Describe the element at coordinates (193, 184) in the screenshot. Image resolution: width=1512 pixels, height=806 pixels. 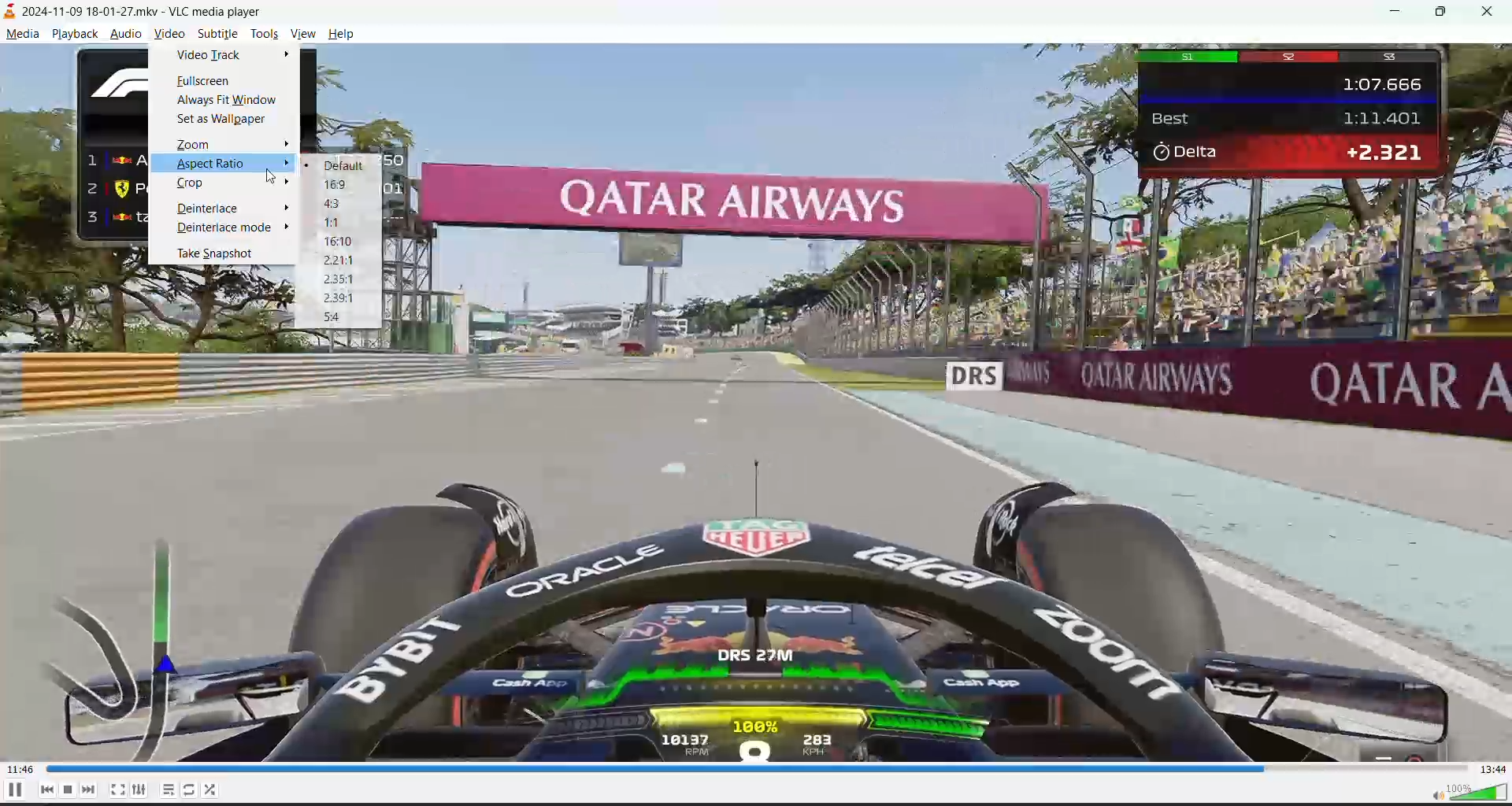
I see `crop` at that location.